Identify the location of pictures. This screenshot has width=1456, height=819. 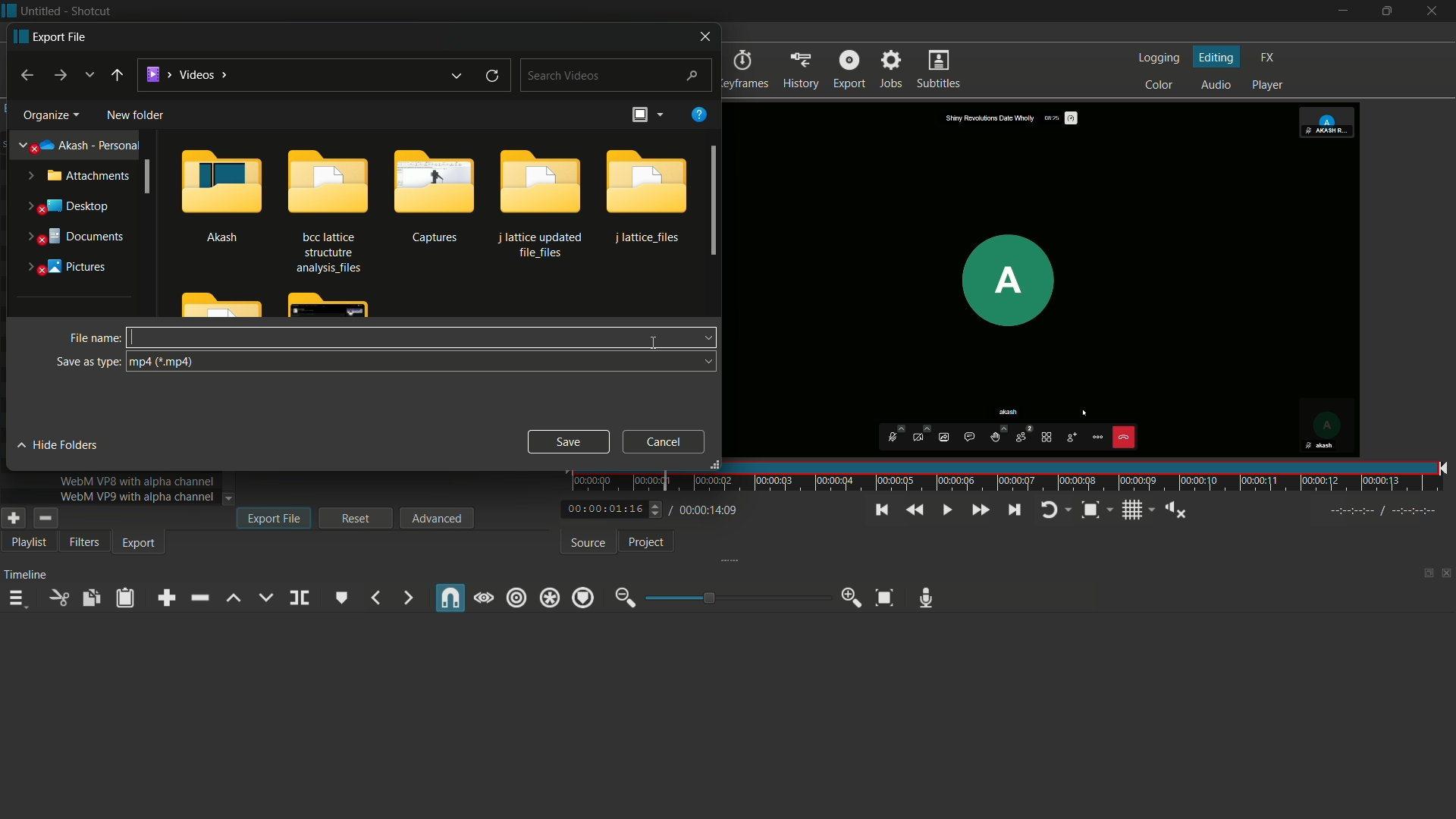
(65, 268).